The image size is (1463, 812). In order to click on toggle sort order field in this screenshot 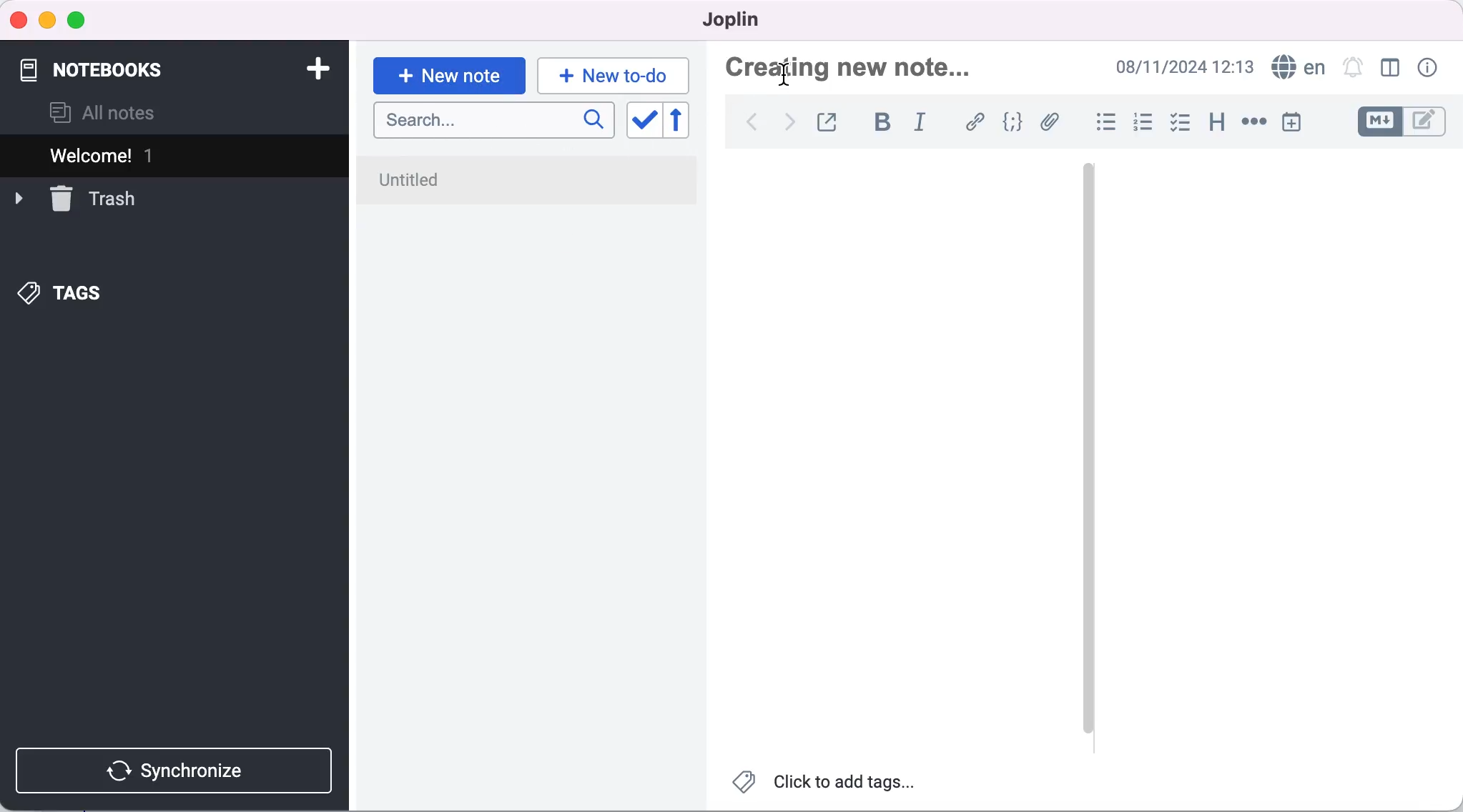, I will do `click(643, 122)`.